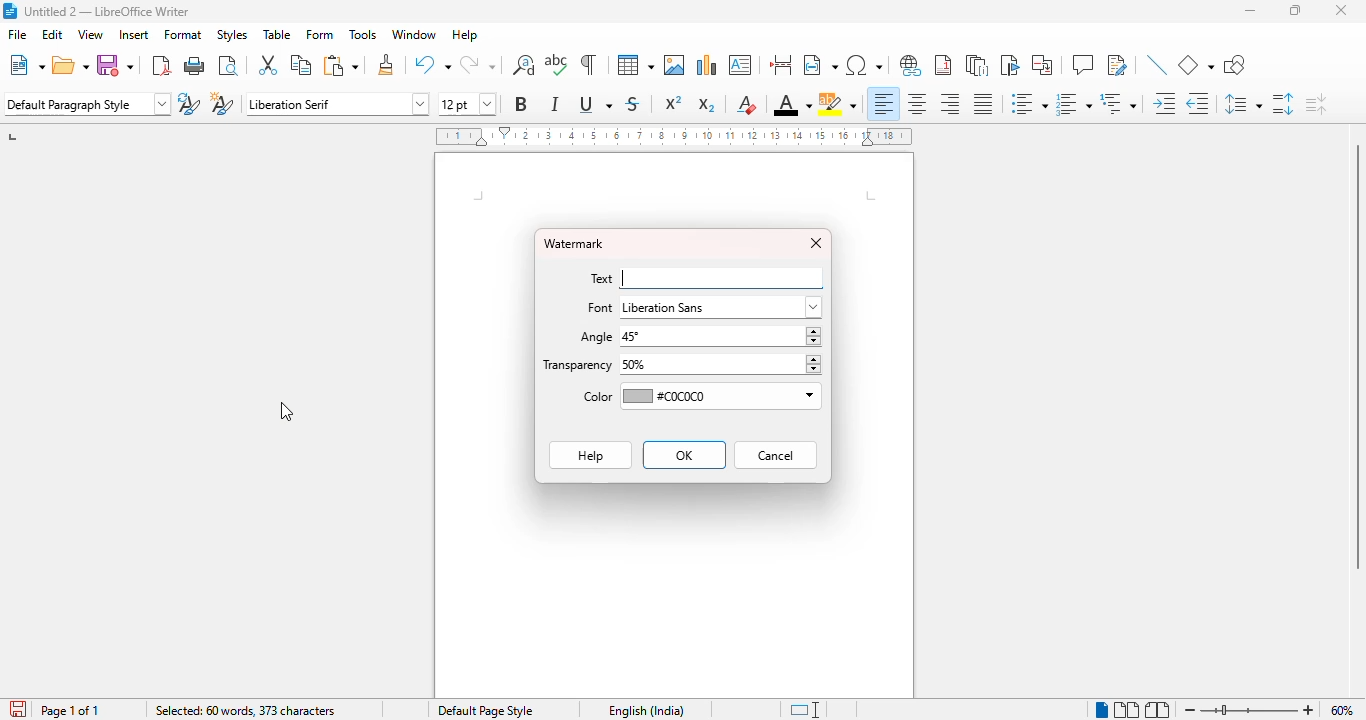  Describe the element at coordinates (721, 307) in the screenshot. I see ` liberation sans` at that location.